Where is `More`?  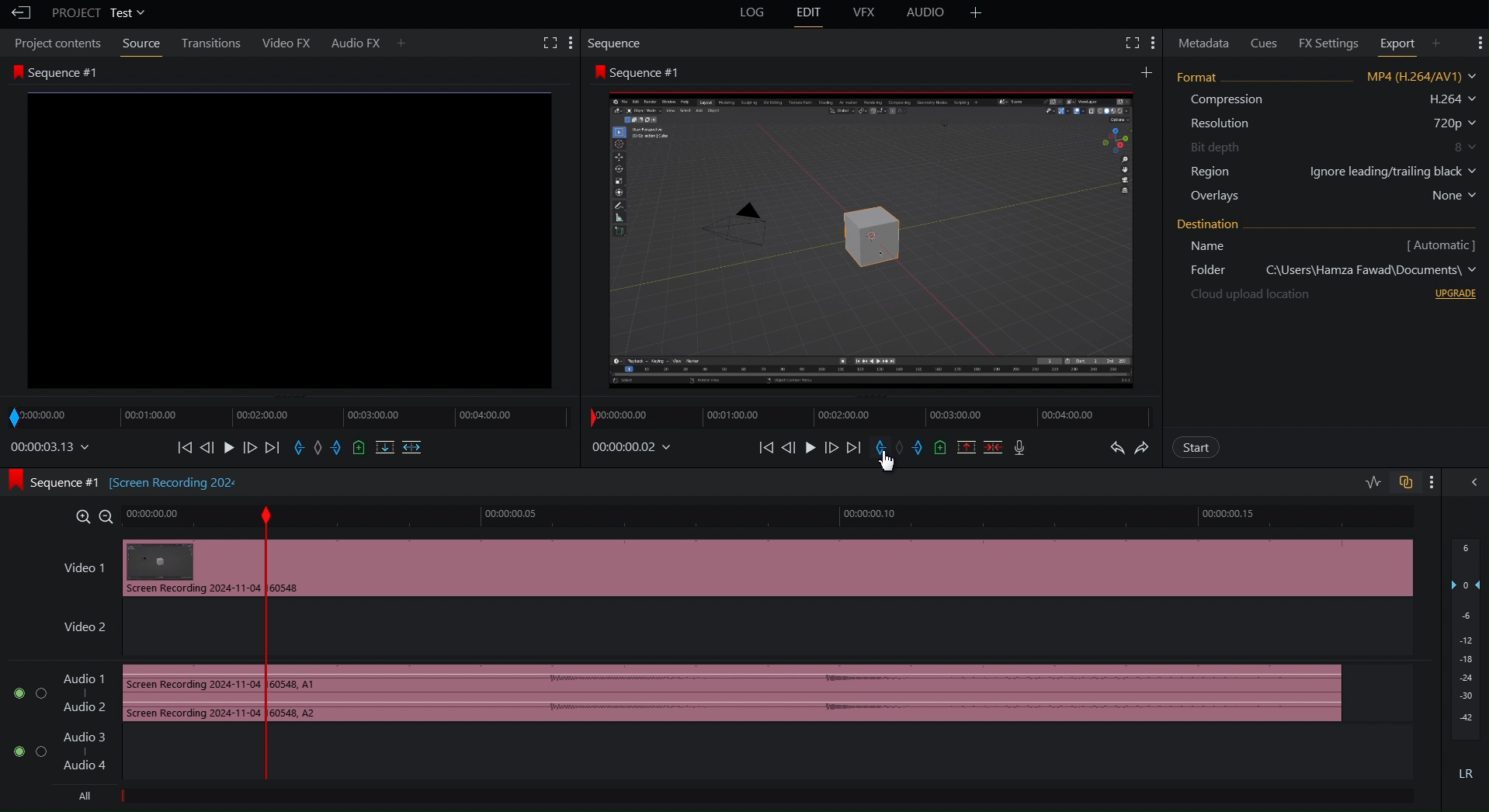 More is located at coordinates (977, 15).